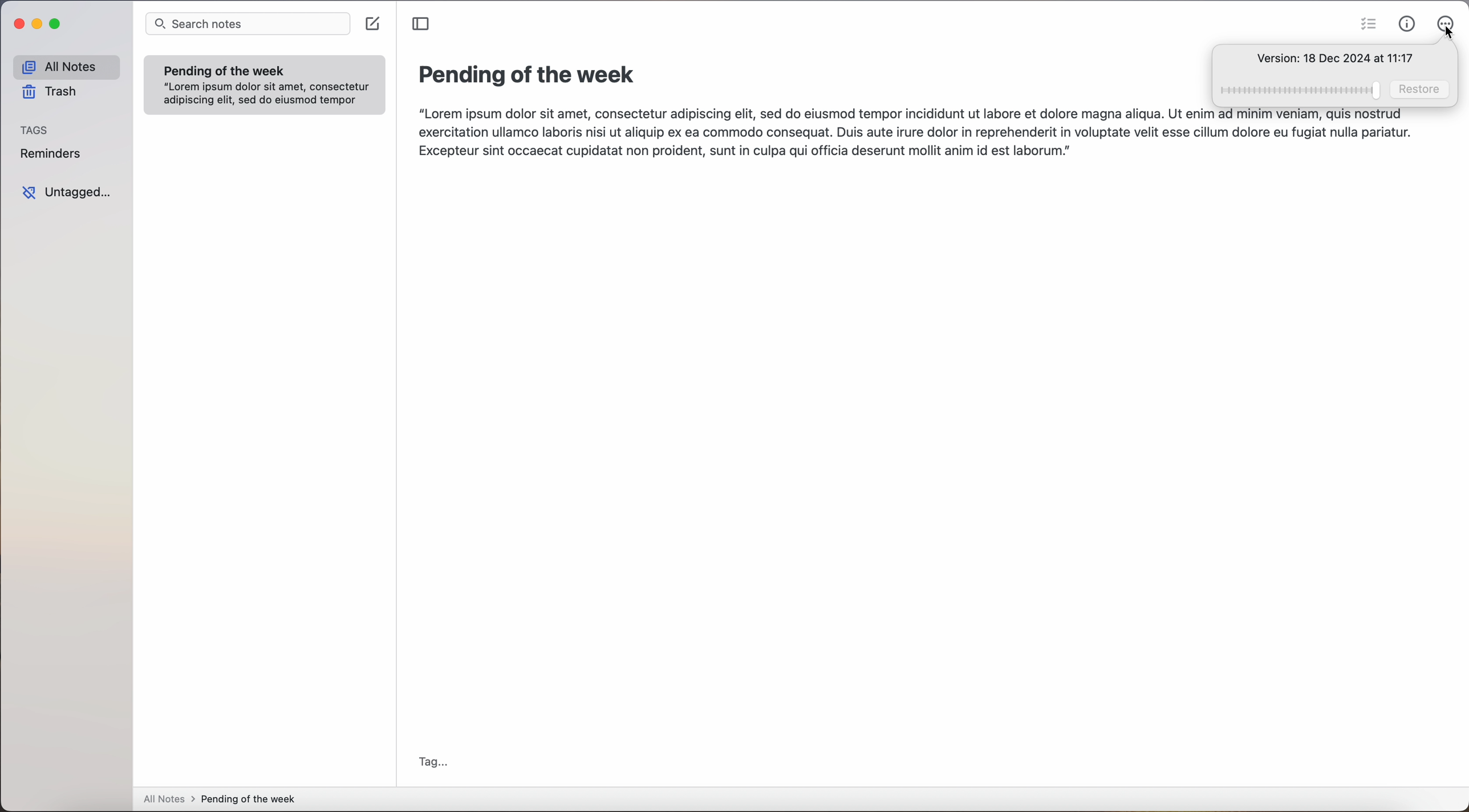  Describe the element at coordinates (1446, 20) in the screenshot. I see `click on more options` at that location.